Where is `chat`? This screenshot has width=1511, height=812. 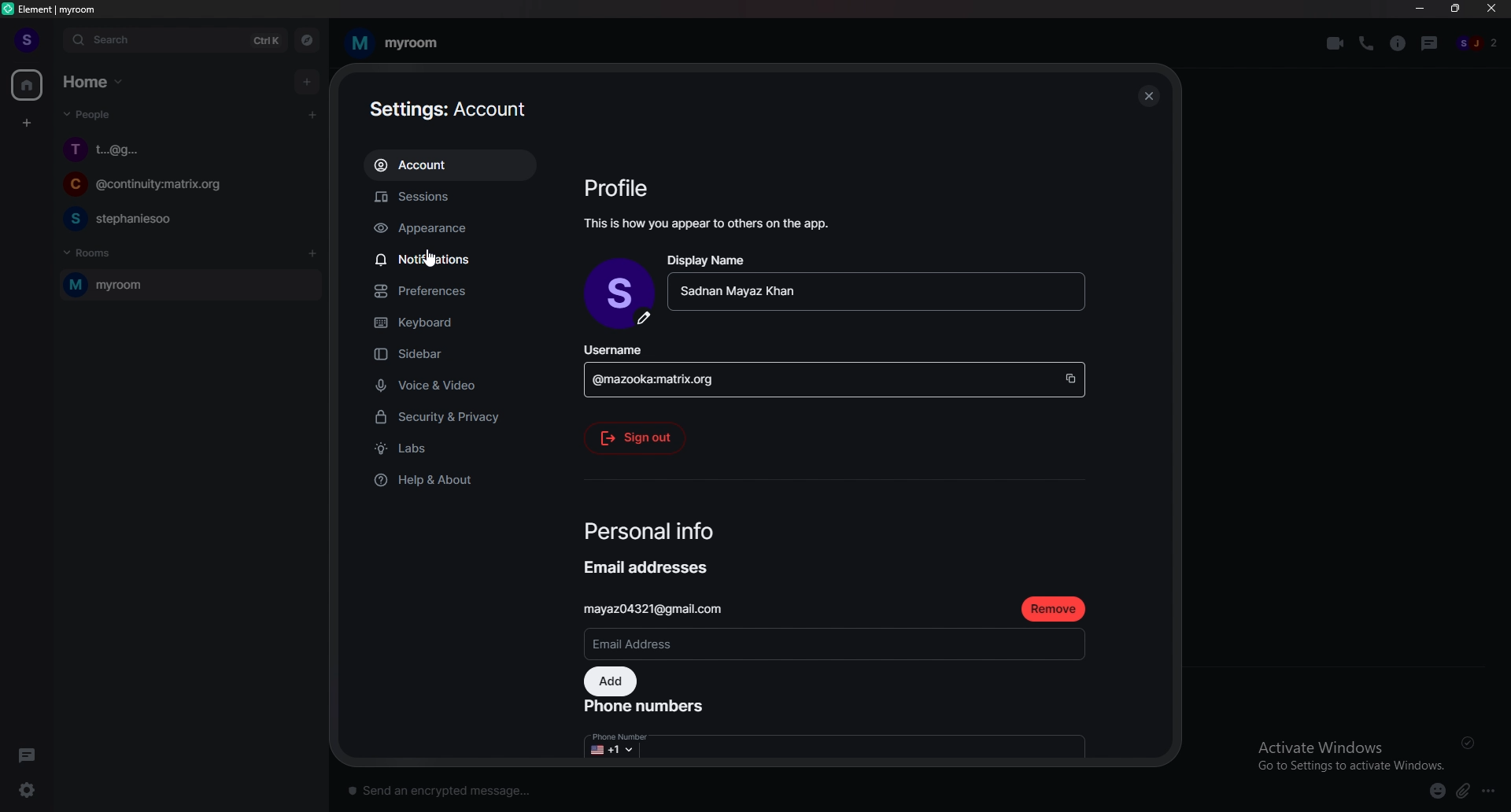 chat is located at coordinates (180, 219).